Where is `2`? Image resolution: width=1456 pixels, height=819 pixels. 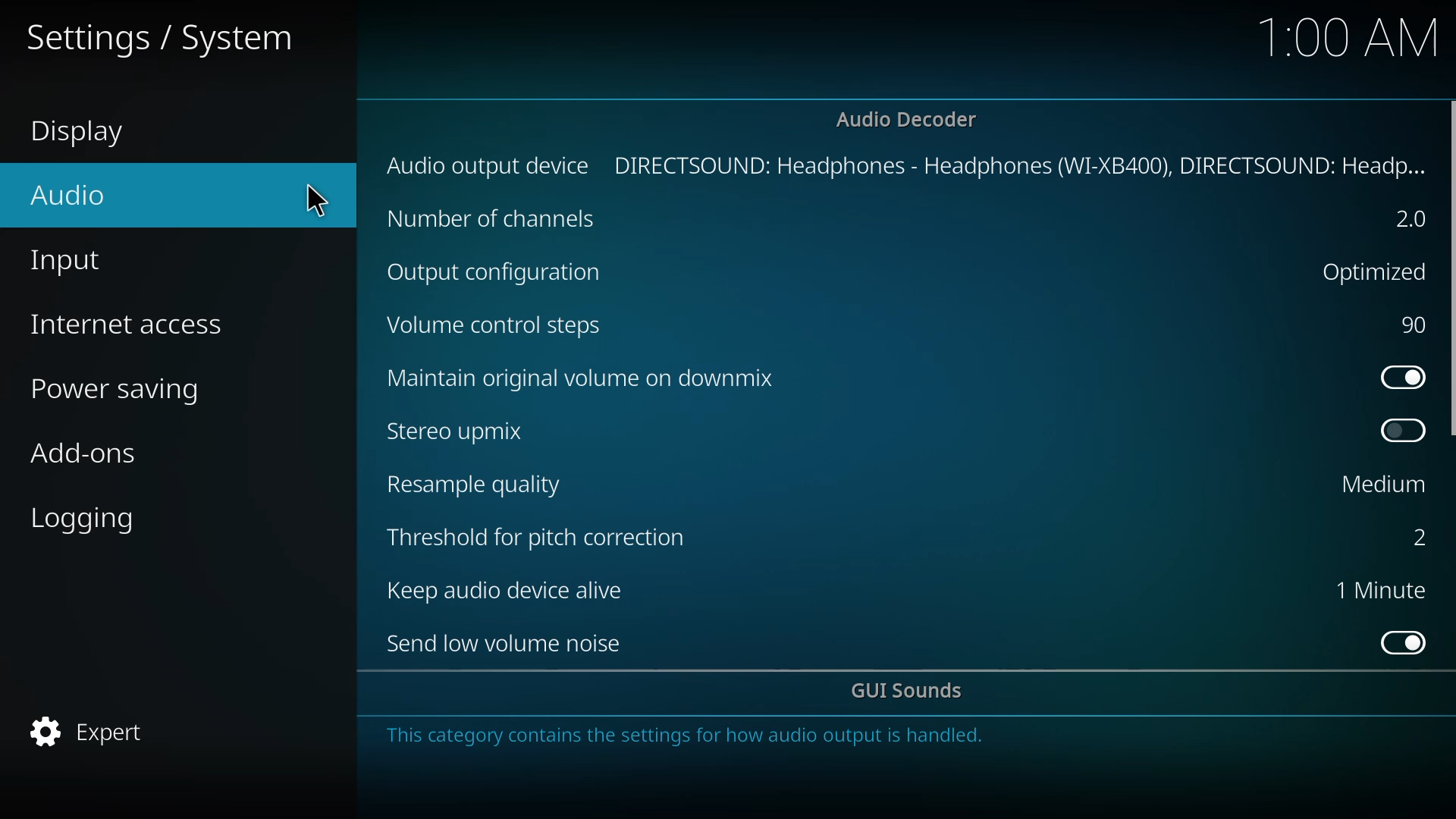 2 is located at coordinates (1409, 219).